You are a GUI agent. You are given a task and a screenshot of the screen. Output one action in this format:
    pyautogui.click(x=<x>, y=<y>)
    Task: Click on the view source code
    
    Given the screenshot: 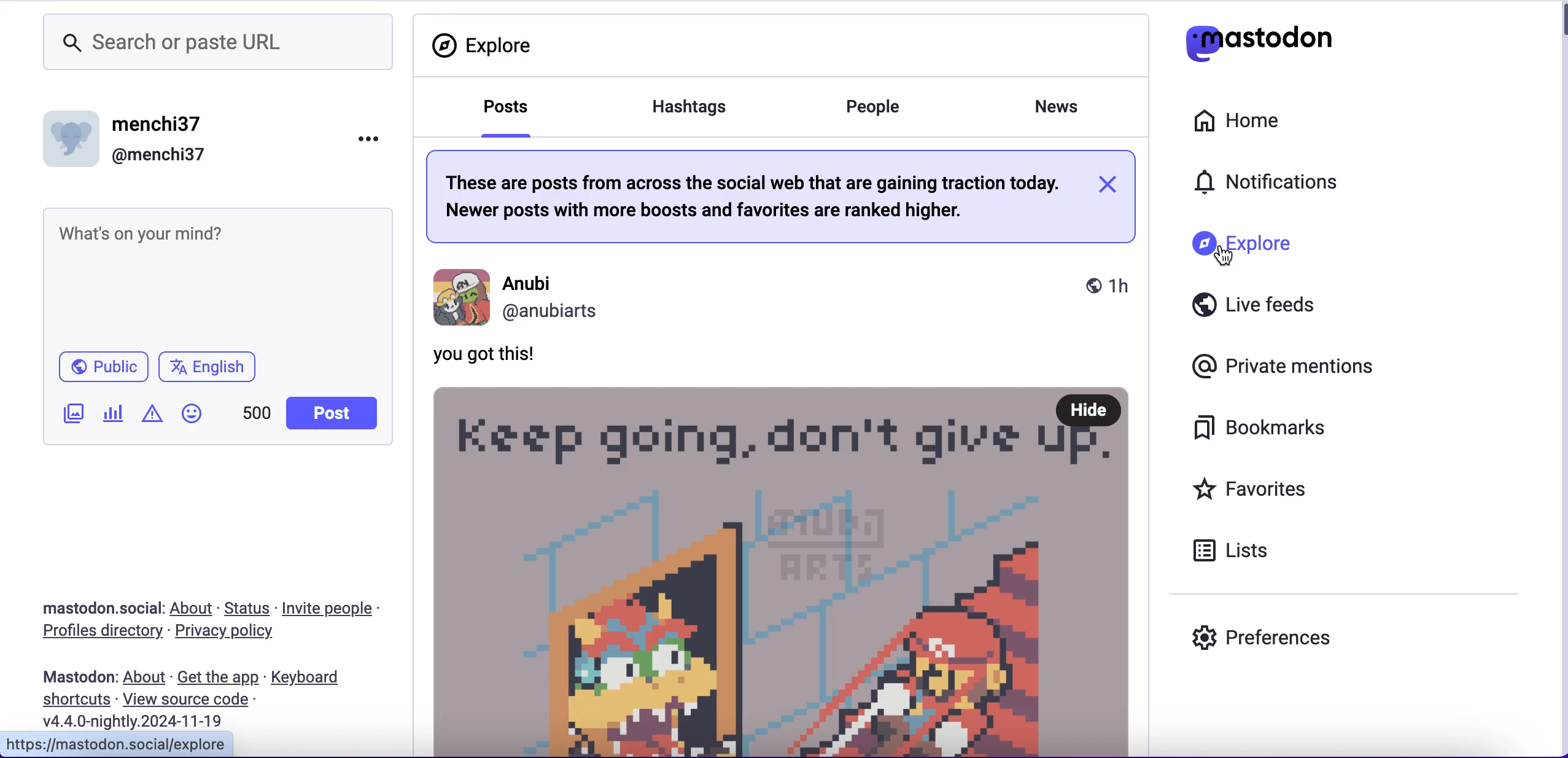 What is the action you would take?
    pyautogui.click(x=199, y=700)
    